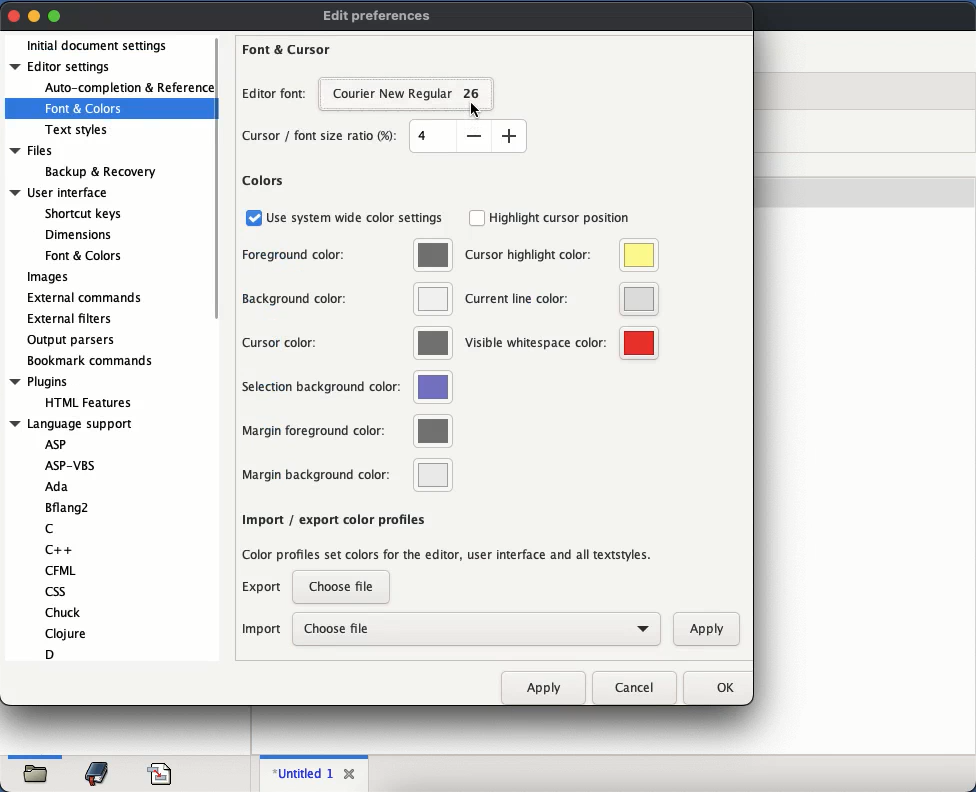 The height and width of the screenshot is (792, 976). What do you see at coordinates (267, 181) in the screenshot?
I see `colors` at bounding box center [267, 181].